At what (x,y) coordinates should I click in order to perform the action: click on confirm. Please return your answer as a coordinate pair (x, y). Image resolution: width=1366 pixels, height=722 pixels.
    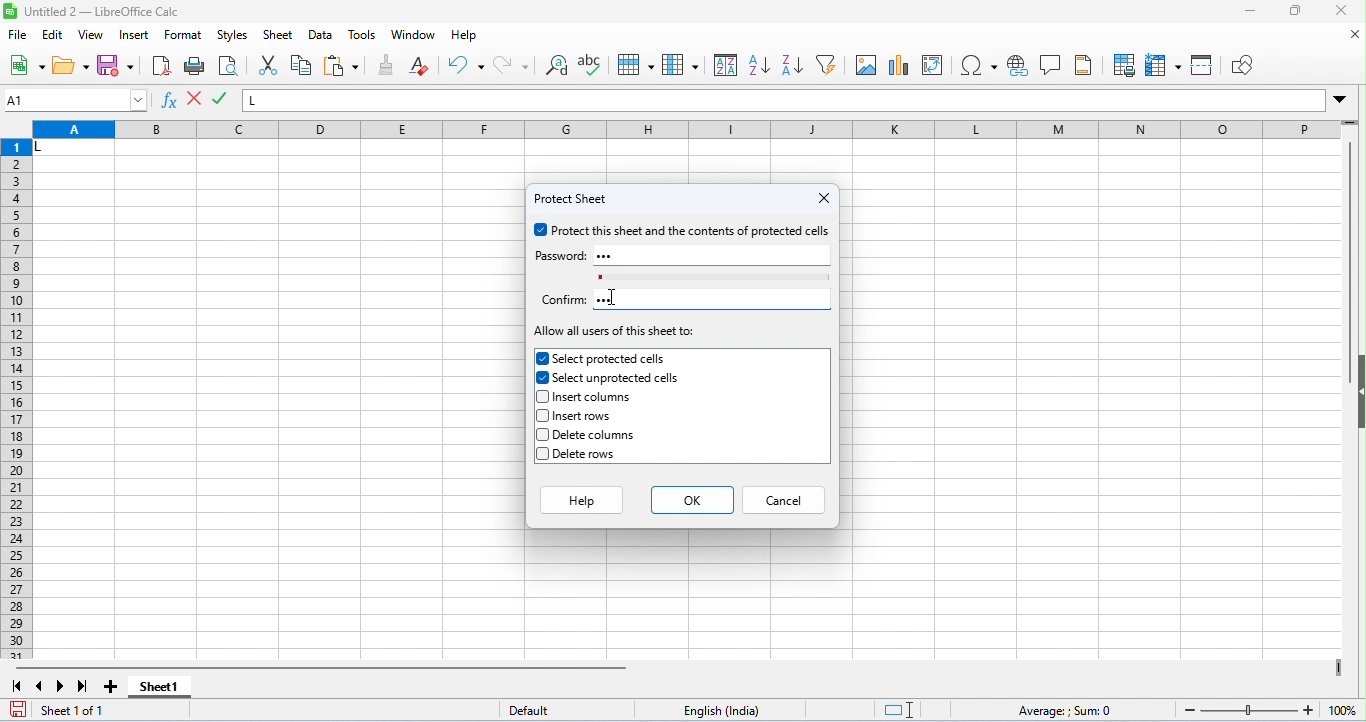
    Looking at the image, I should click on (562, 300).